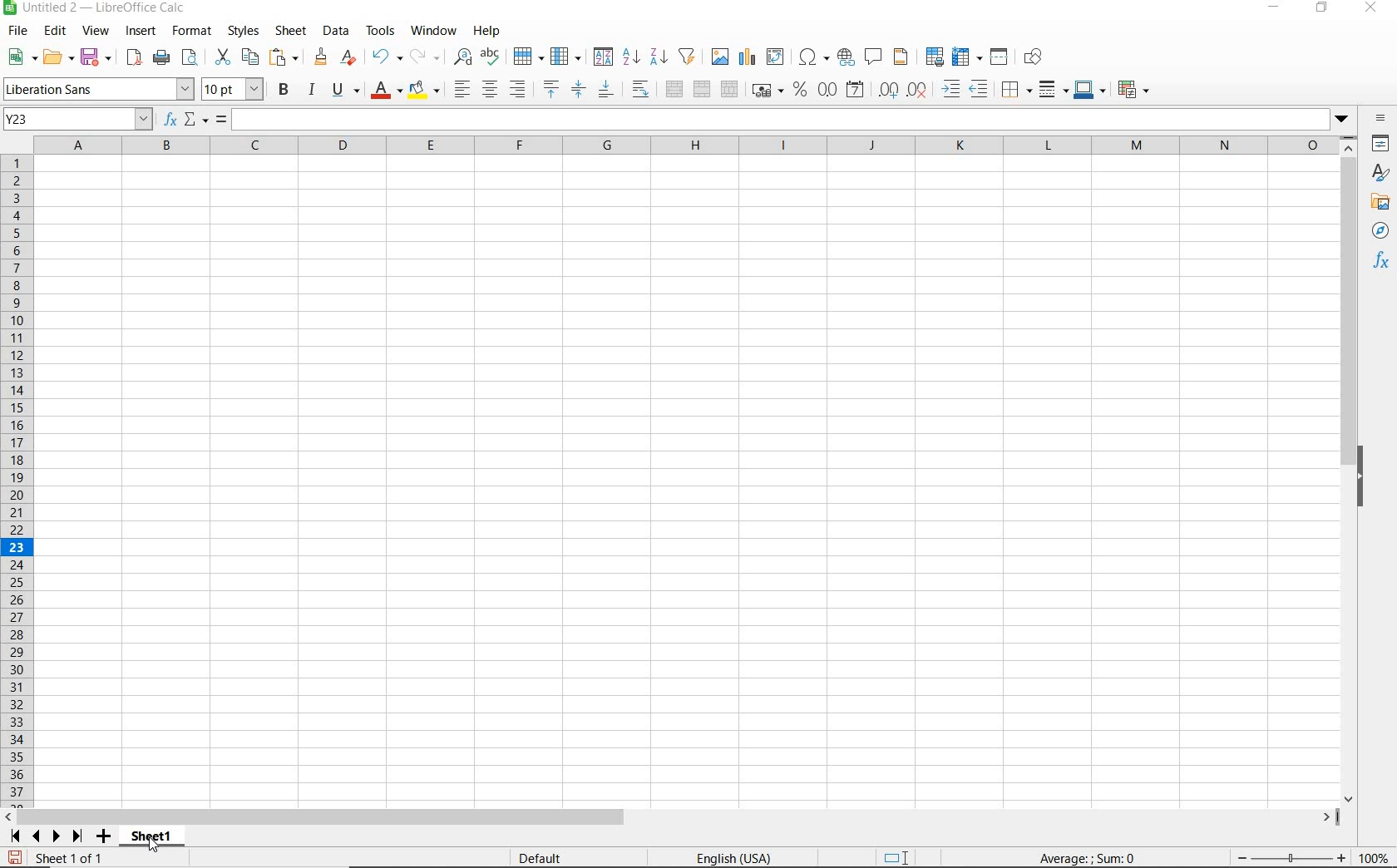 Image resolution: width=1397 pixels, height=868 pixels. I want to click on , so click(491, 58).